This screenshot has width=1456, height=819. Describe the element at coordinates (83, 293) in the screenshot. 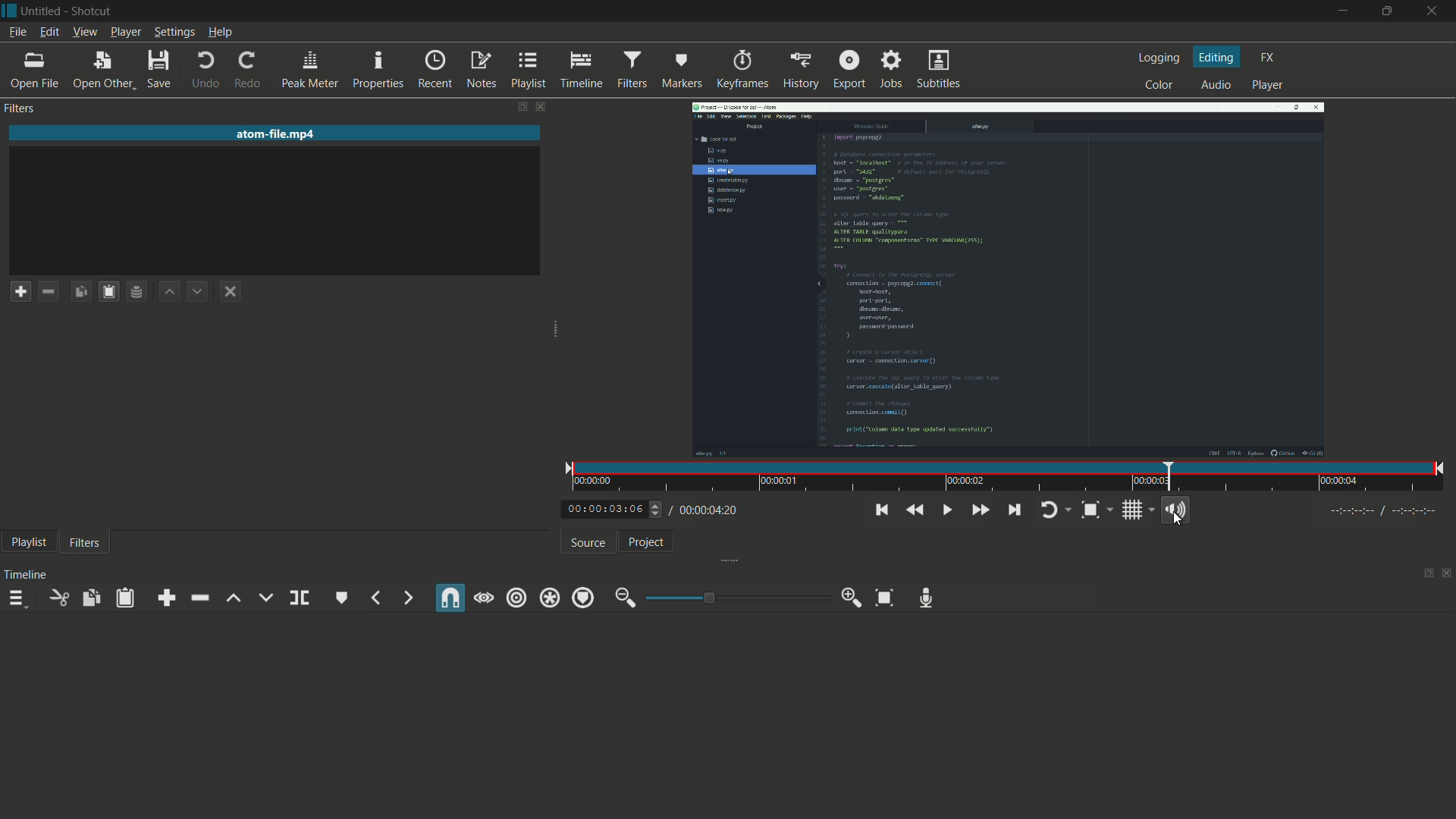

I see `copy checked filters` at that location.